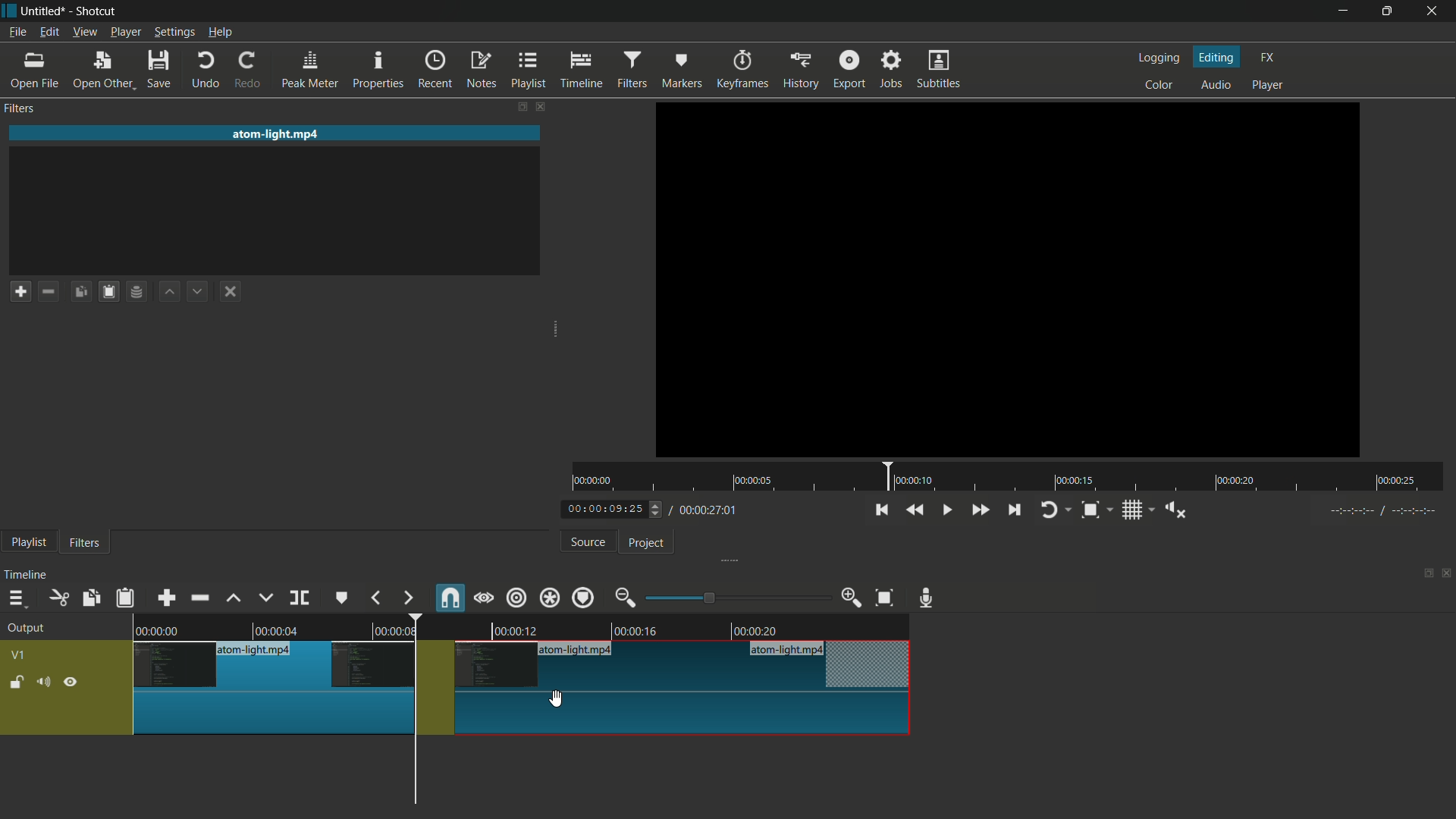  What do you see at coordinates (9, 11) in the screenshot?
I see `app icon` at bounding box center [9, 11].